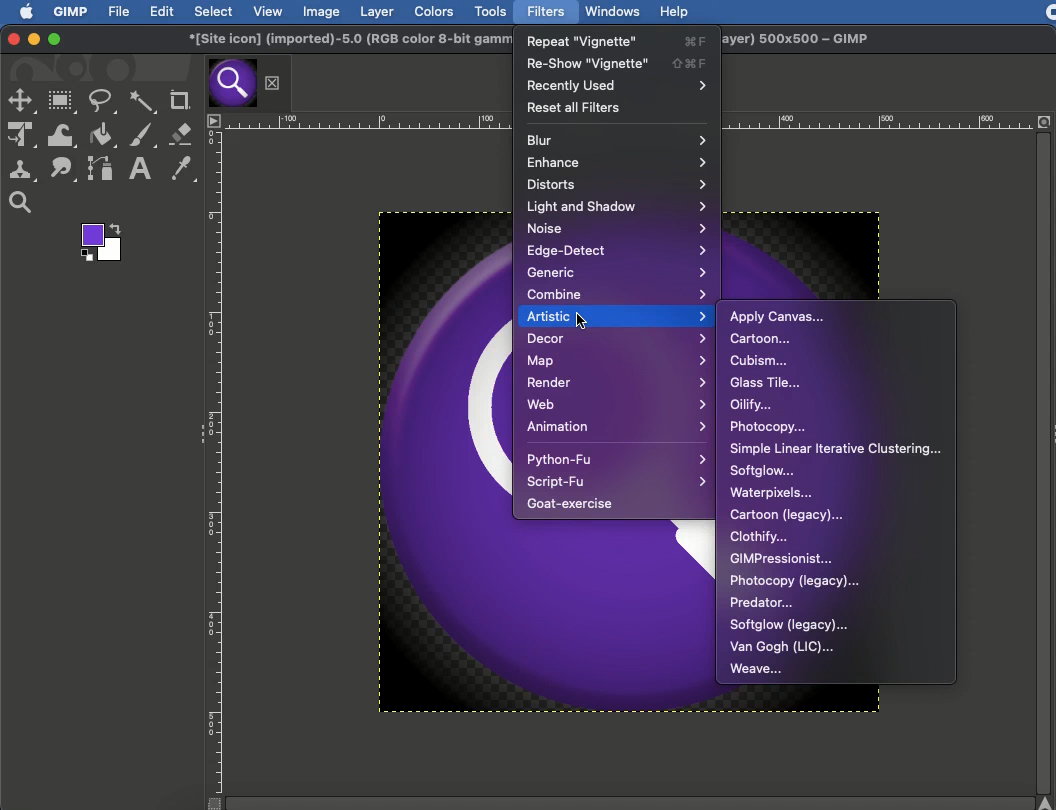  I want to click on Simple linear iterative clustering, so click(835, 449).